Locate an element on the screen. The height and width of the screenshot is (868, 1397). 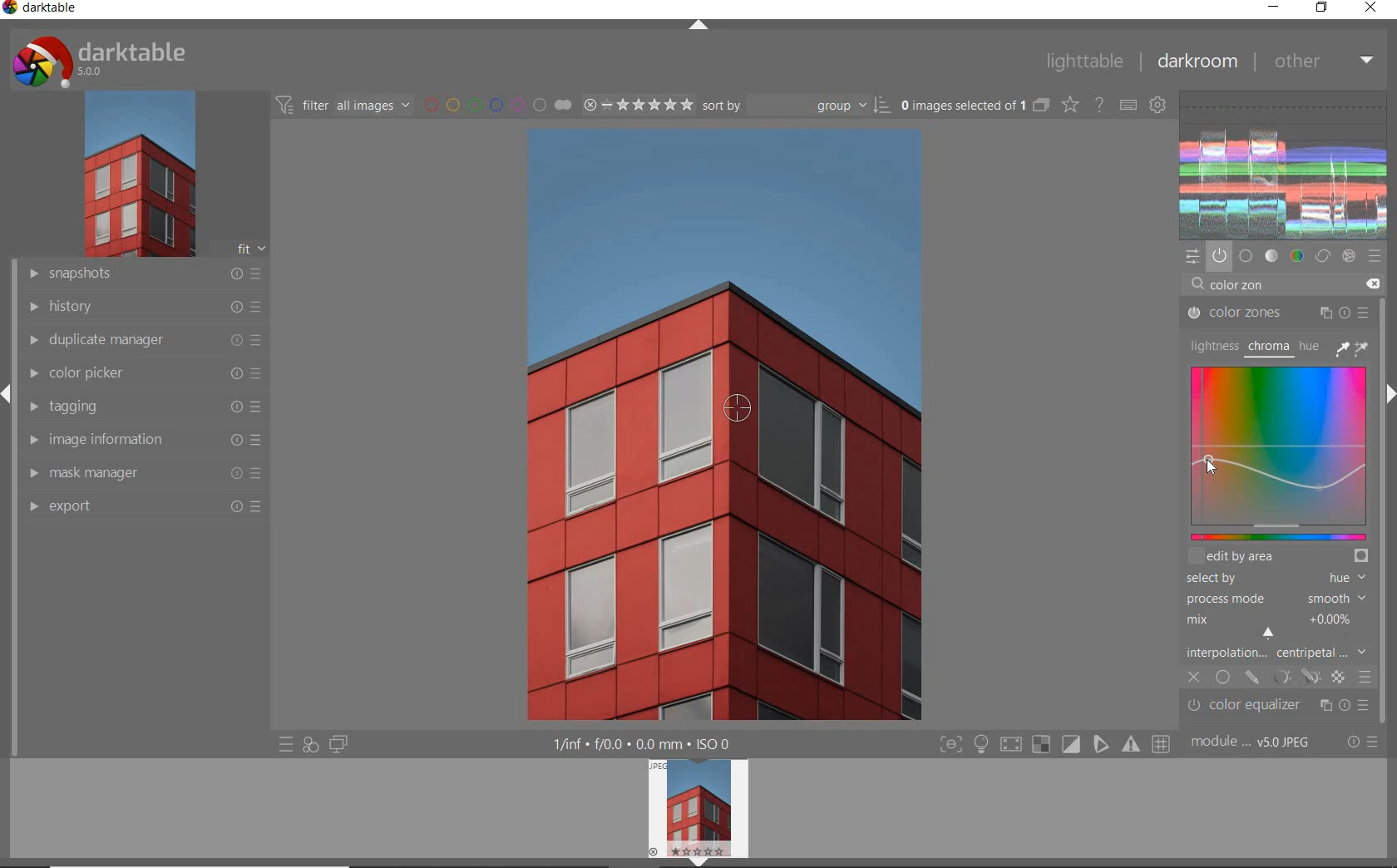
correct is located at coordinates (1323, 257).